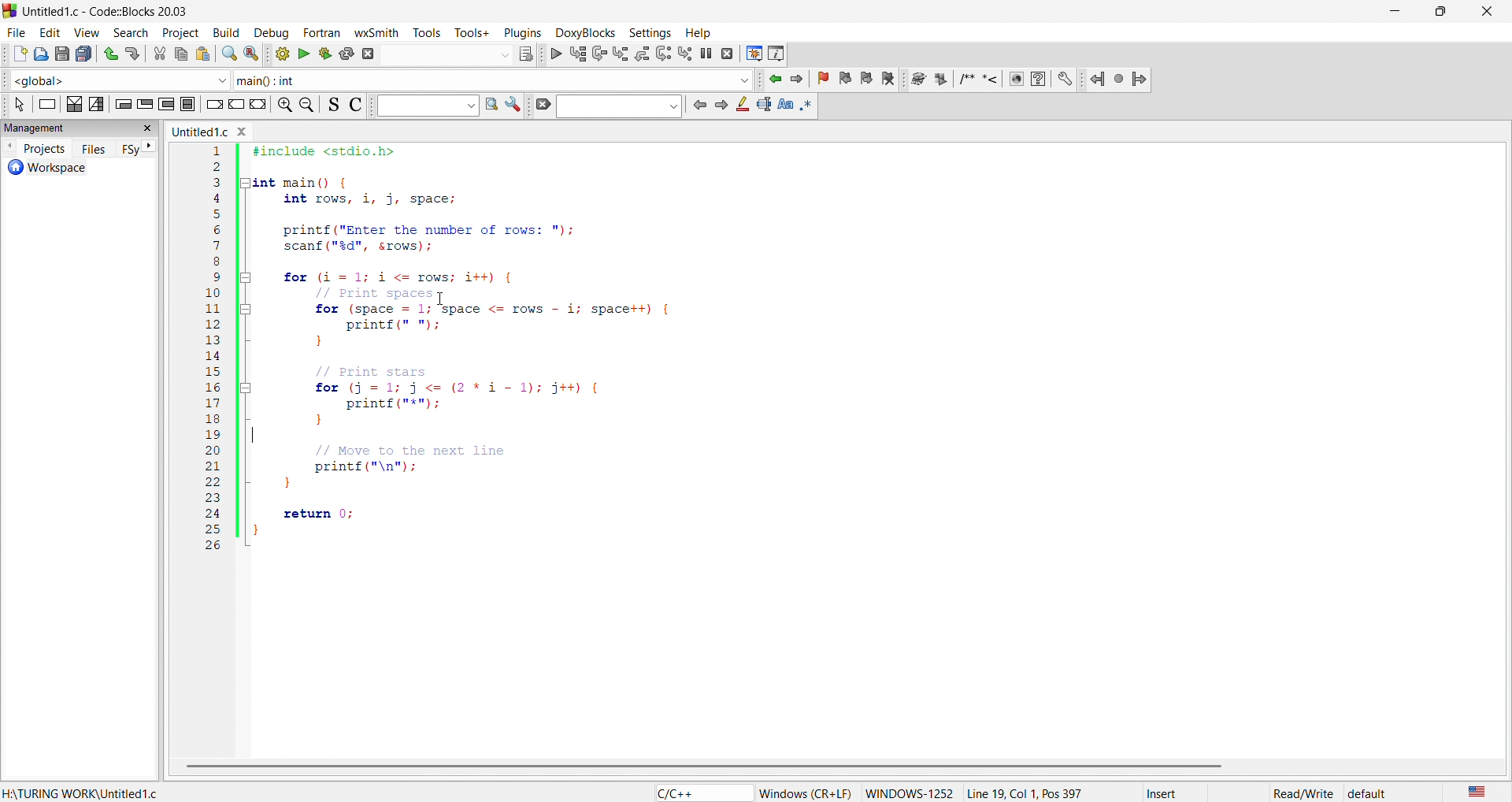 The width and height of the screenshot is (1512, 802). I want to click on stop debugging, so click(728, 54).